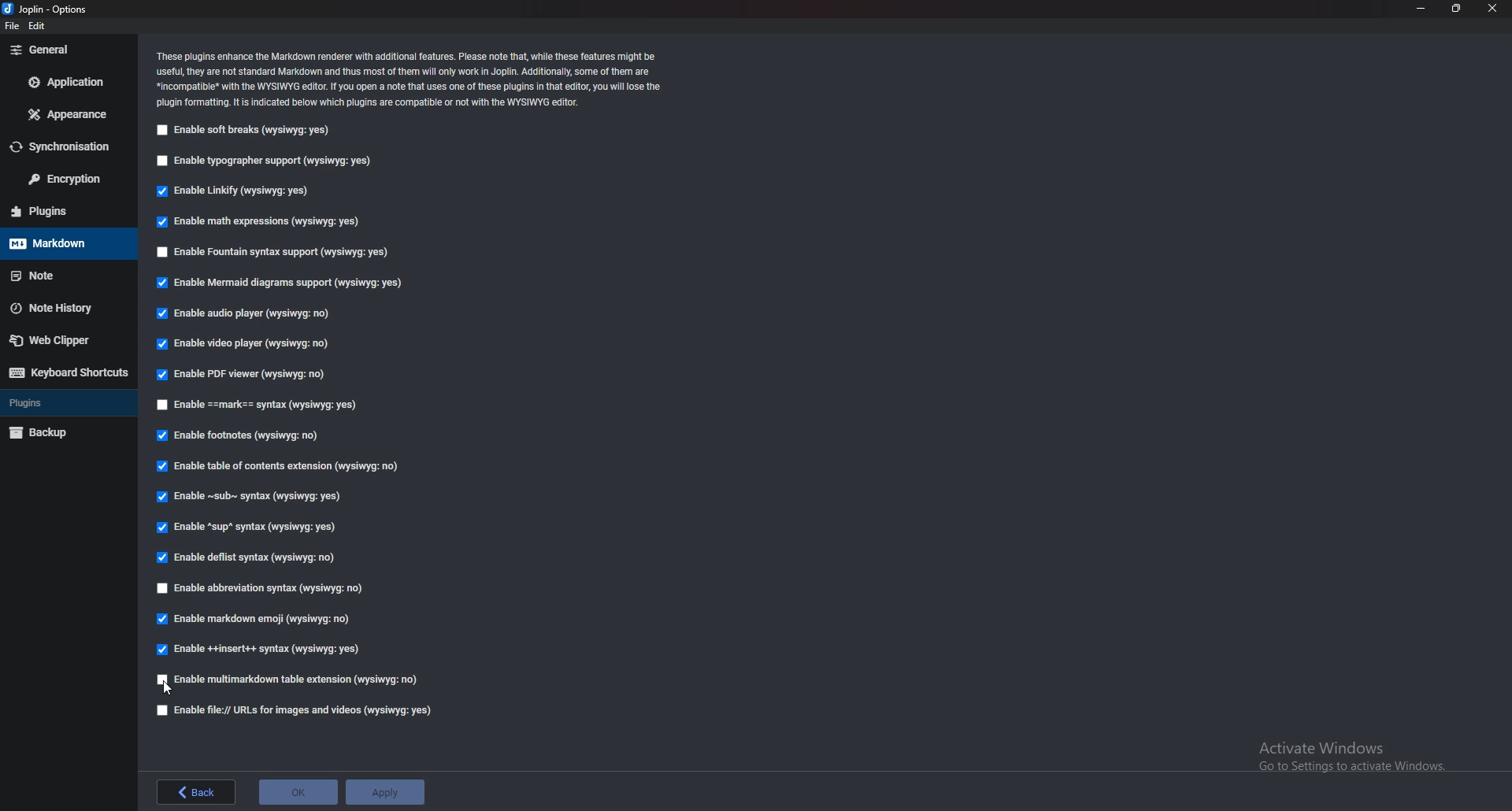 The height and width of the screenshot is (811, 1512). Describe the element at coordinates (50, 9) in the screenshot. I see `options` at that location.